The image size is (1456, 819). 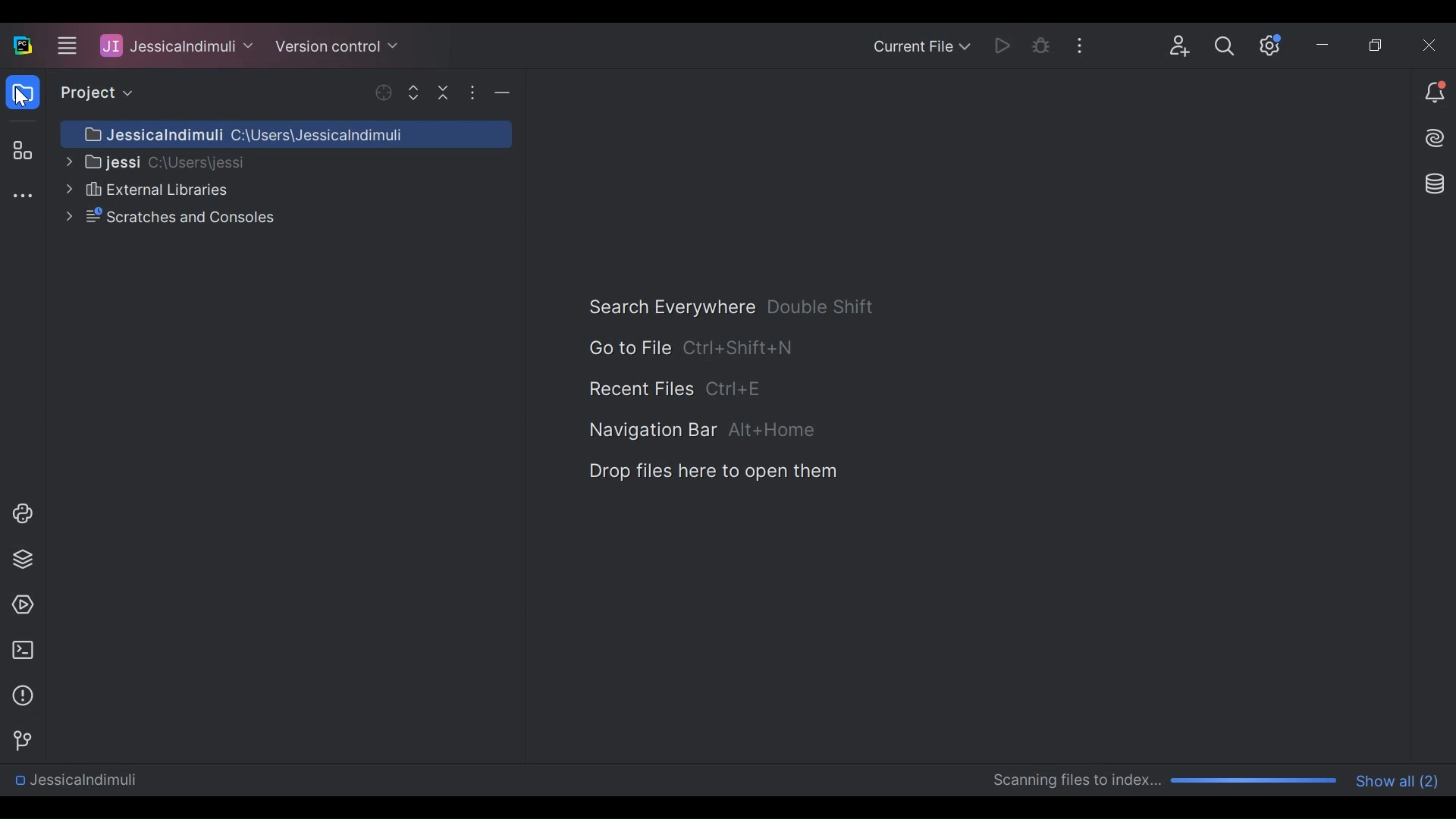 What do you see at coordinates (379, 93) in the screenshot?
I see `Selected Opened File` at bounding box center [379, 93].